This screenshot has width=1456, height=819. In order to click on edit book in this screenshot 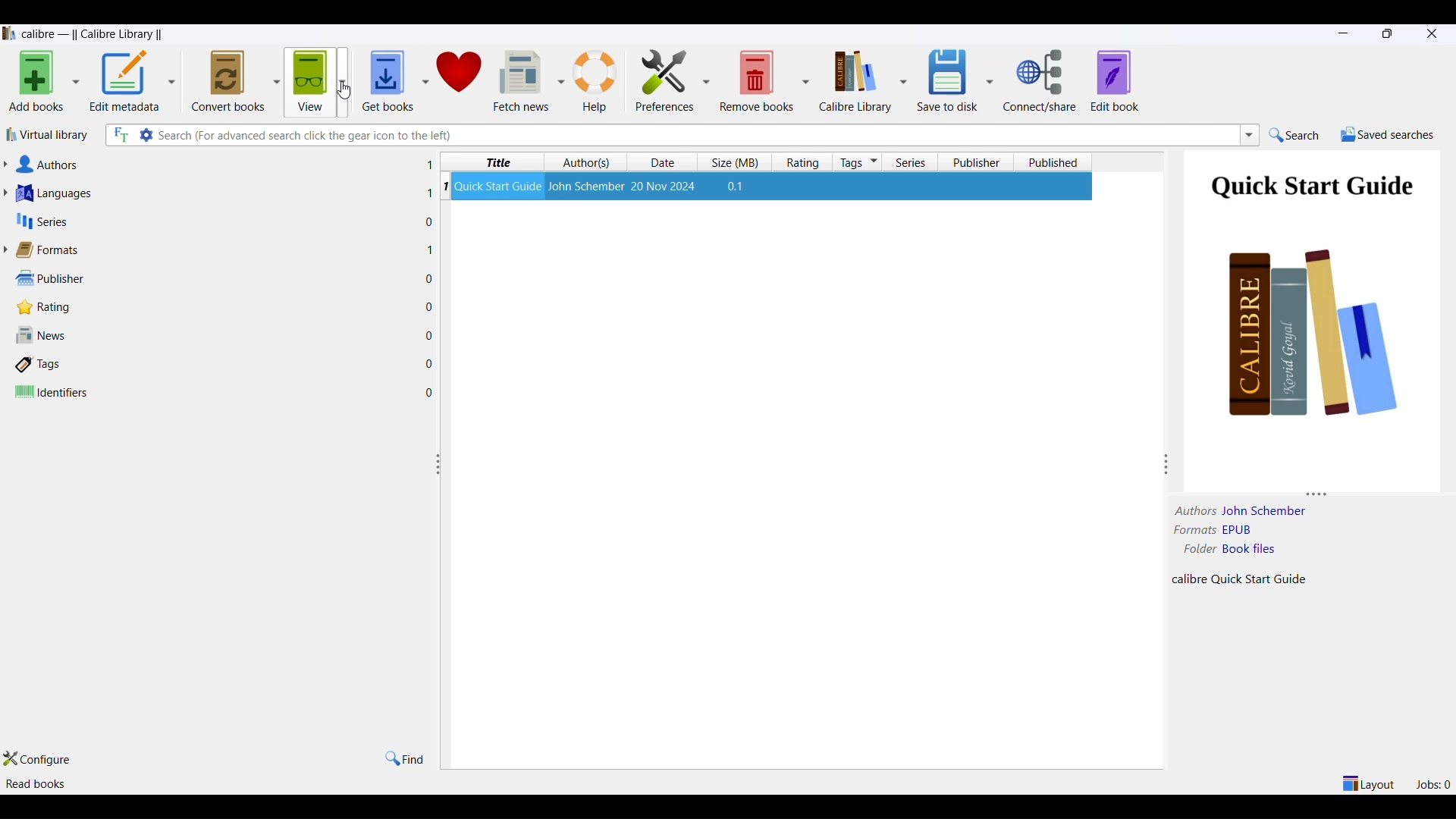, I will do `click(1119, 82)`.